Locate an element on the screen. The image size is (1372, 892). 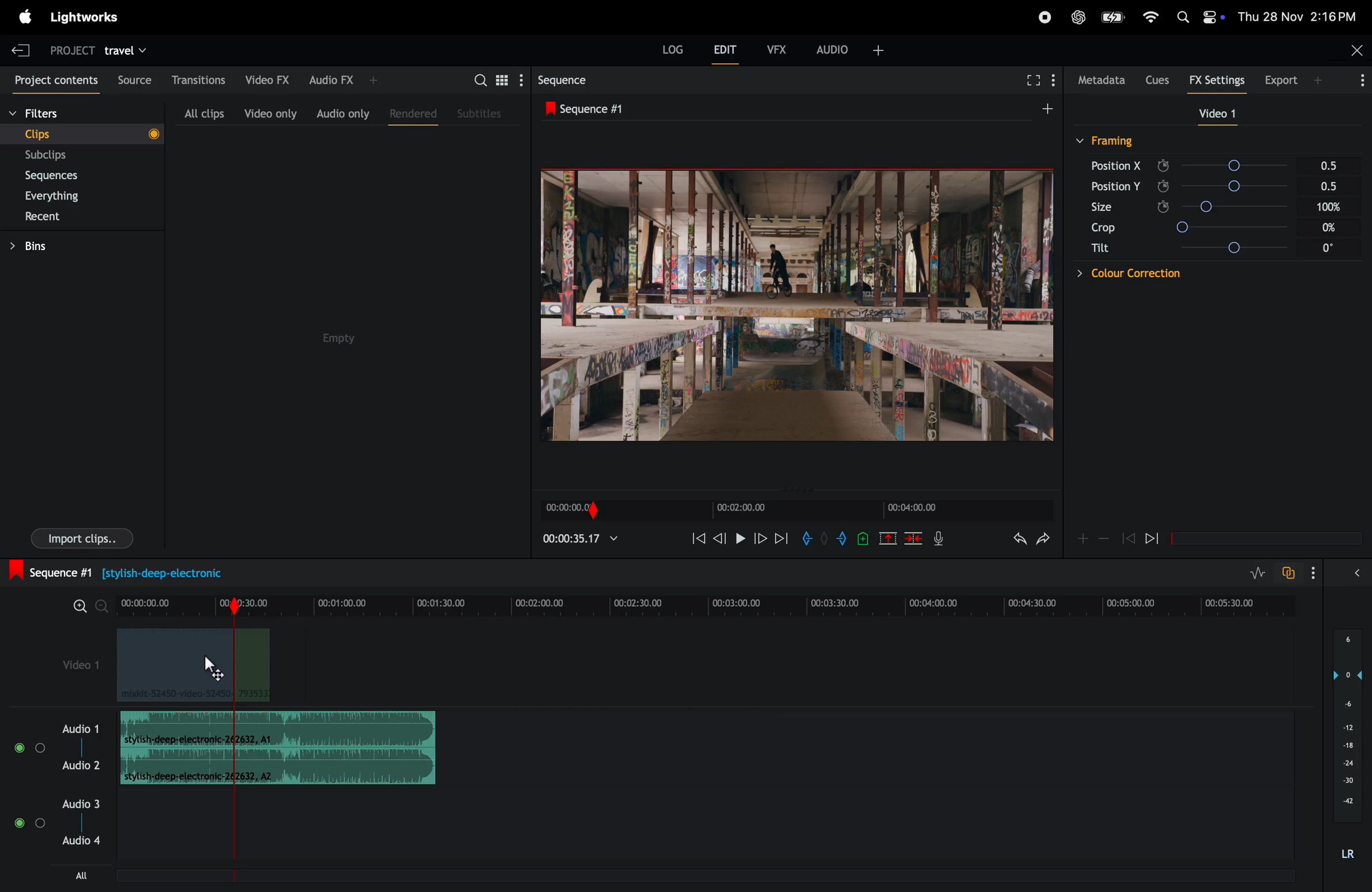
cues is located at coordinates (1157, 78).